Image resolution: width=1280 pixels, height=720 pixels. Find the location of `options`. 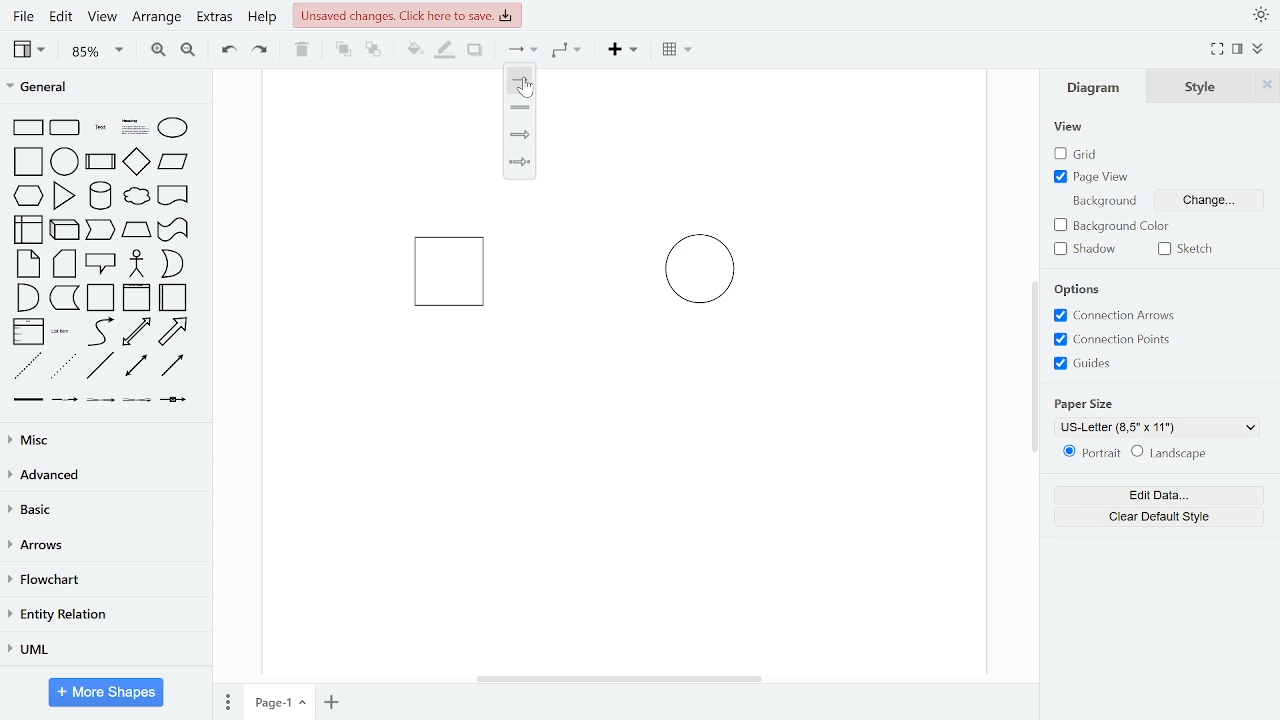

options is located at coordinates (1083, 290).